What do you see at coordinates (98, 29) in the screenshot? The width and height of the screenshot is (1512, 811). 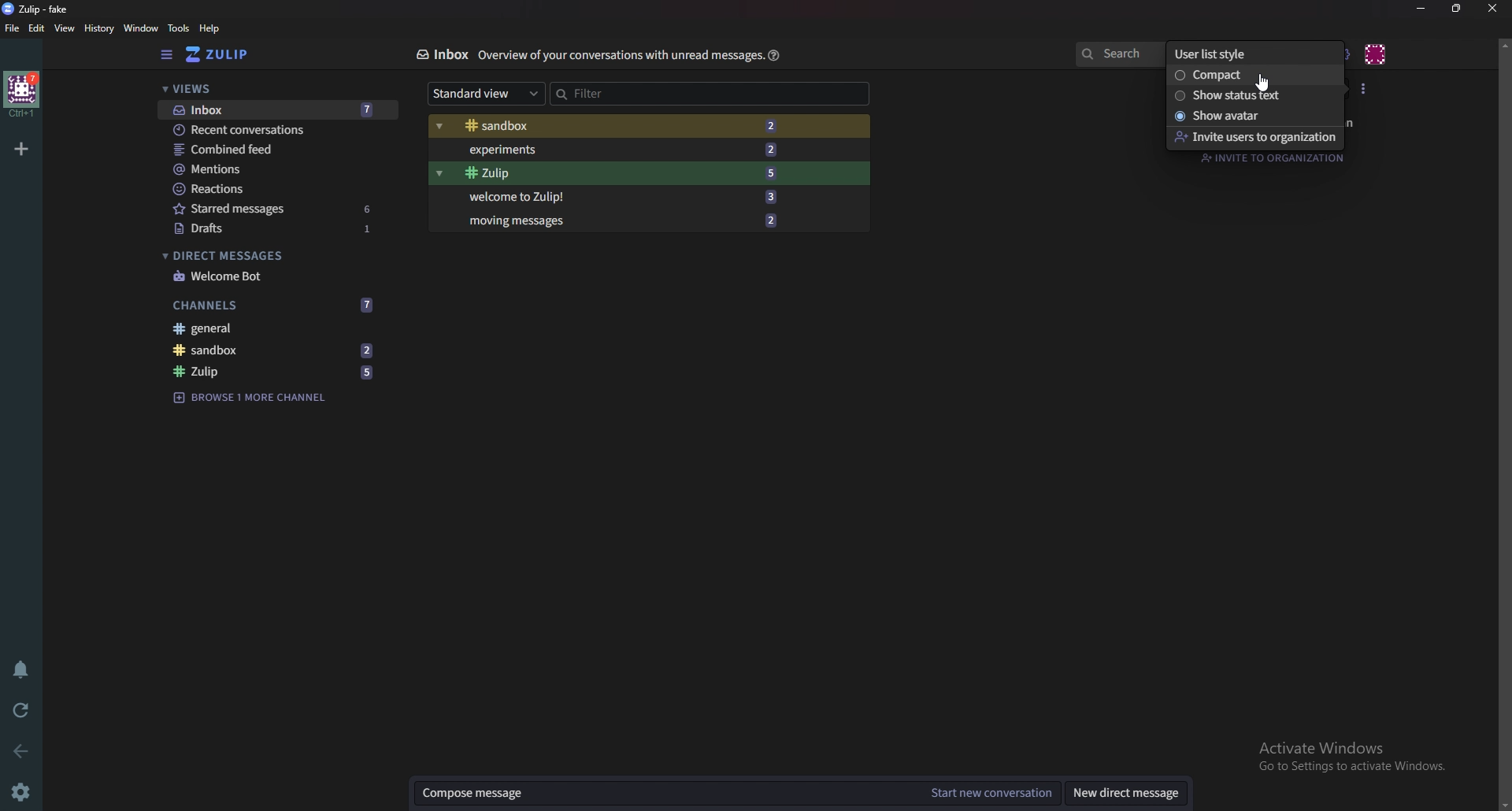 I see `History` at bounding box center [98, 29].